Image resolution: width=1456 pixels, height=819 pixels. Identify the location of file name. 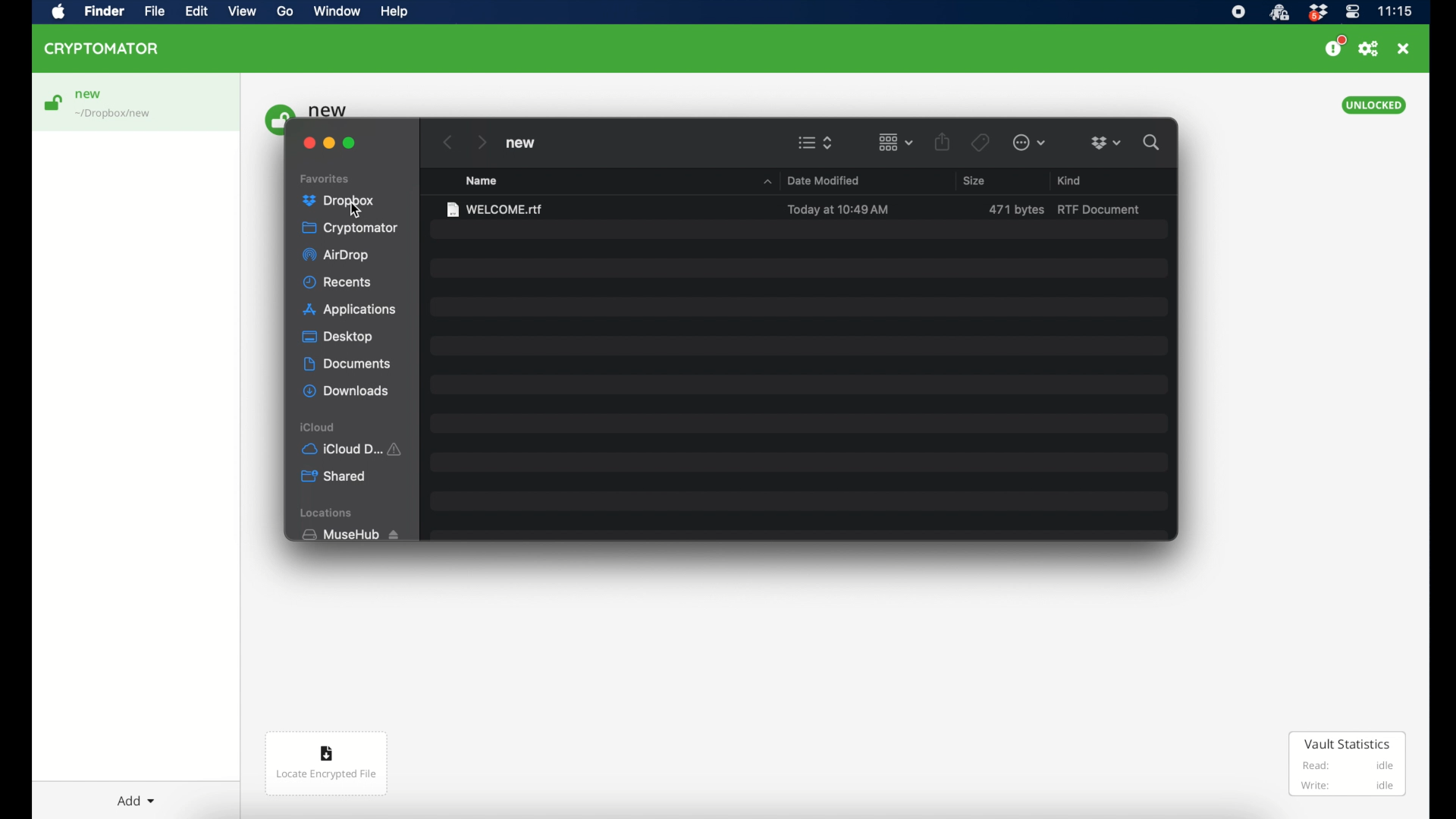
(495, 210).